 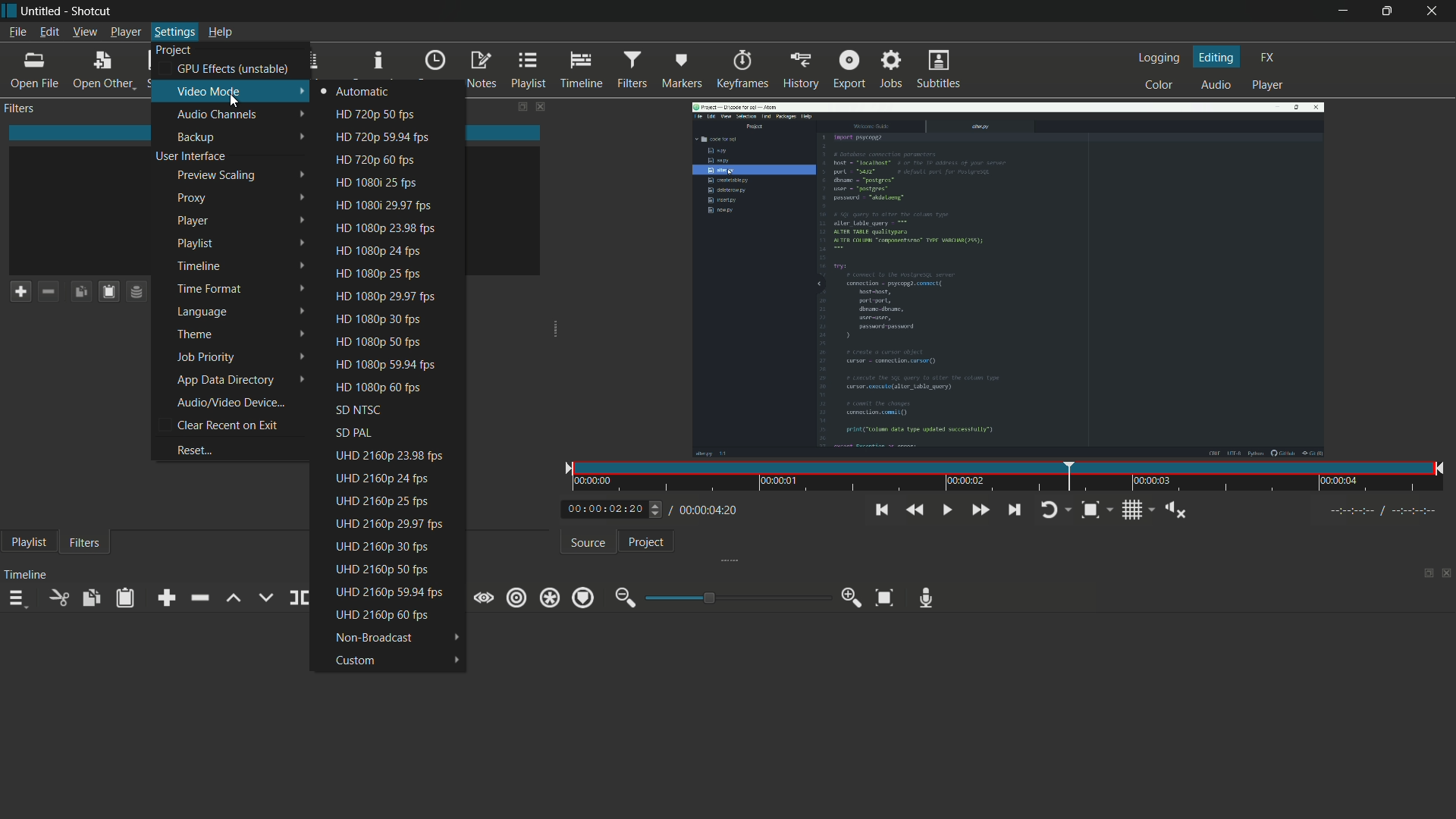 What do you see at coordinates (1217, 85) in the screenshot?
I see `audio` at bounding box center [1217, 85].